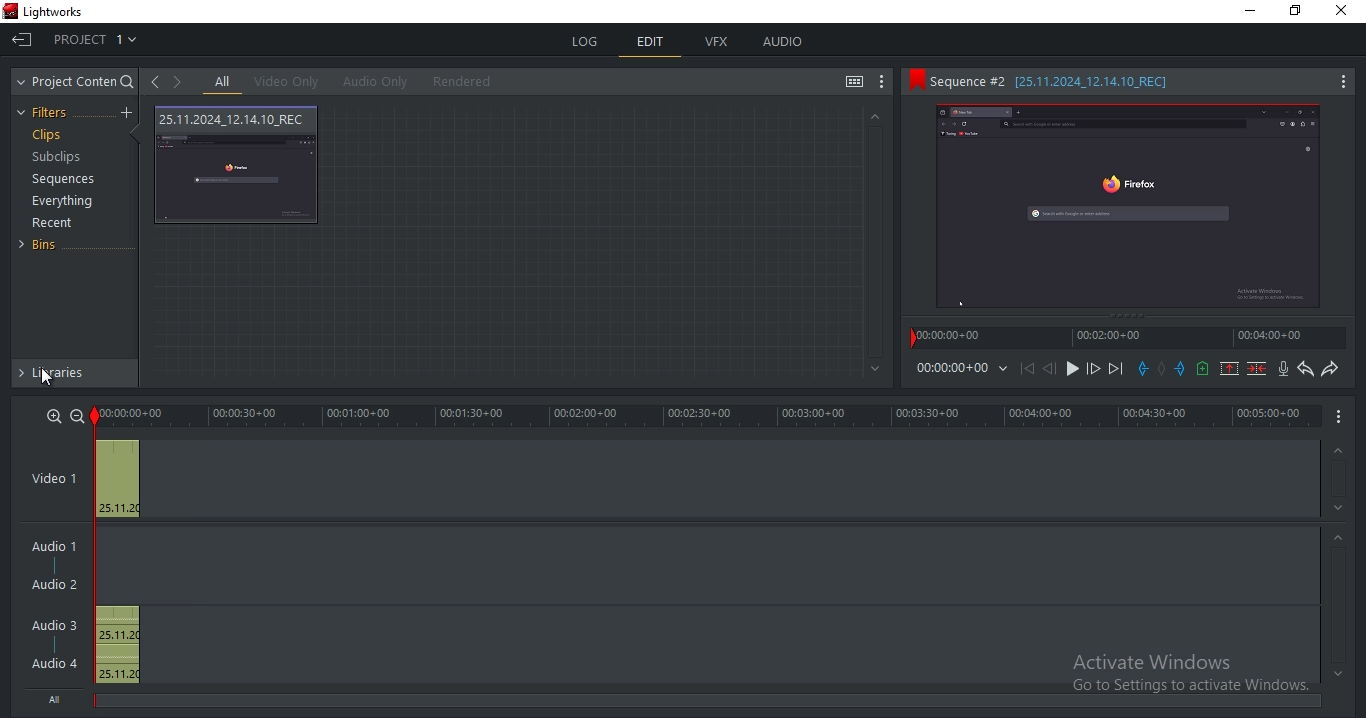 This screenshot has width=1366, height=718. Describe the element at coordinates (1303, 369) in the screenshot. I see `undo` at that location.